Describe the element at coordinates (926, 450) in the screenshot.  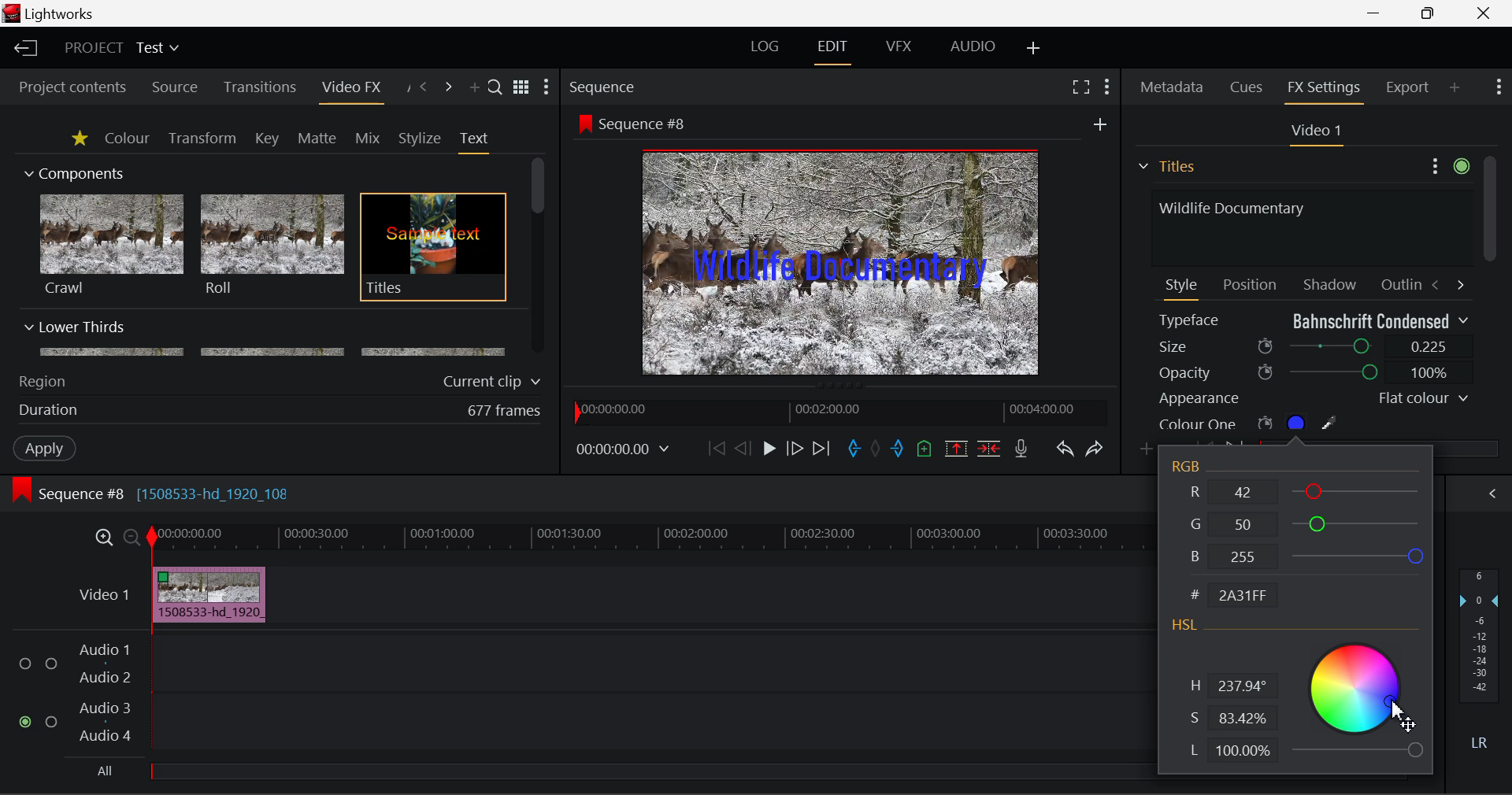
I see `Mark Cue` at that location.